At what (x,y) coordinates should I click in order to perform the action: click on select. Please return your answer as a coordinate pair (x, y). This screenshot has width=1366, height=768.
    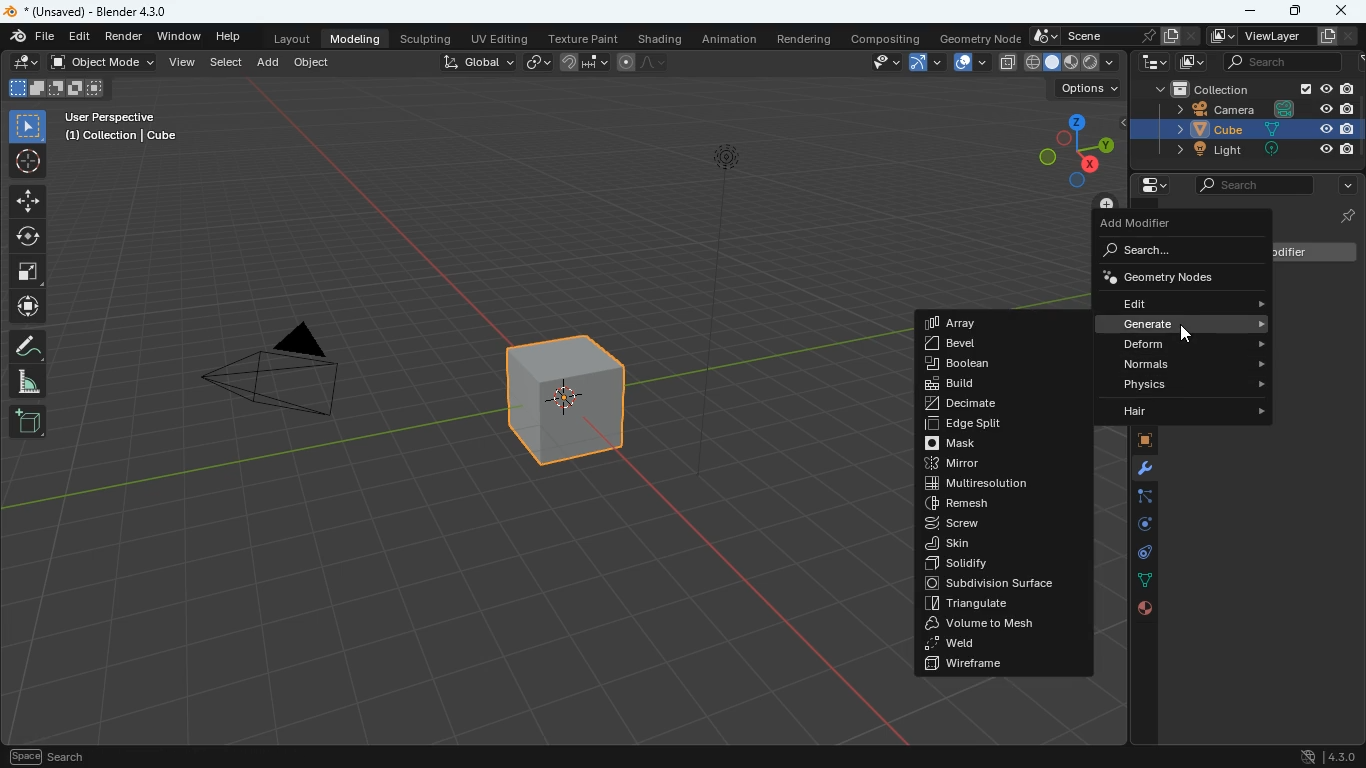
    Looking at the image, I should click on (228, 63).